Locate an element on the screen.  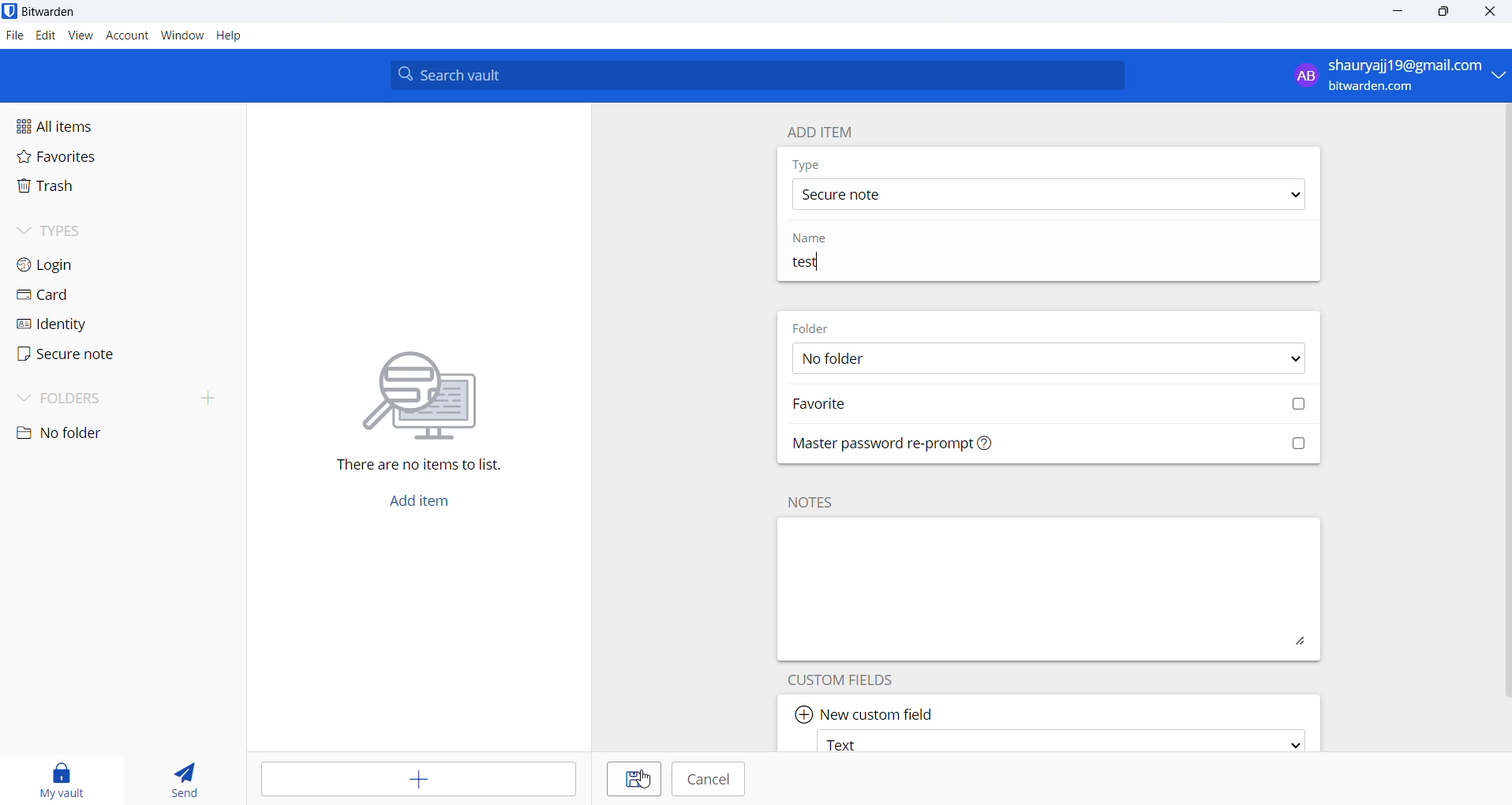
search bar is located at coordinates (757, 75).